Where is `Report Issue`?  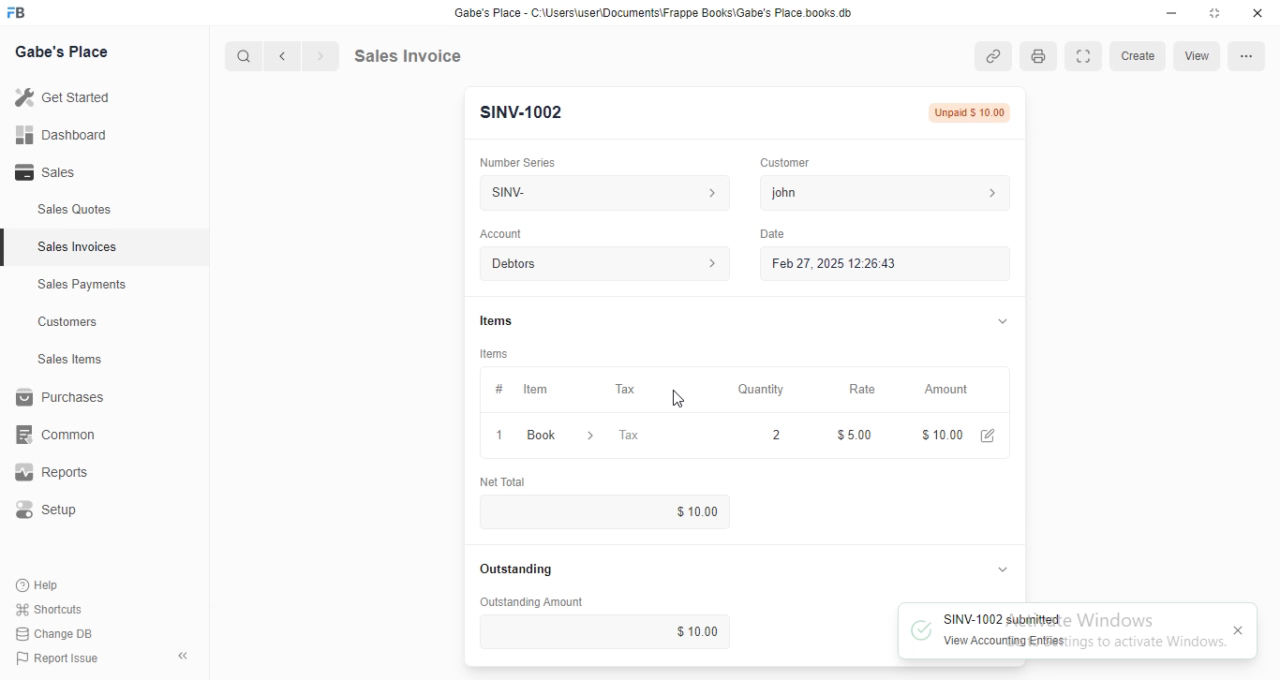 Report Issue is located at coordinates (61, 660).